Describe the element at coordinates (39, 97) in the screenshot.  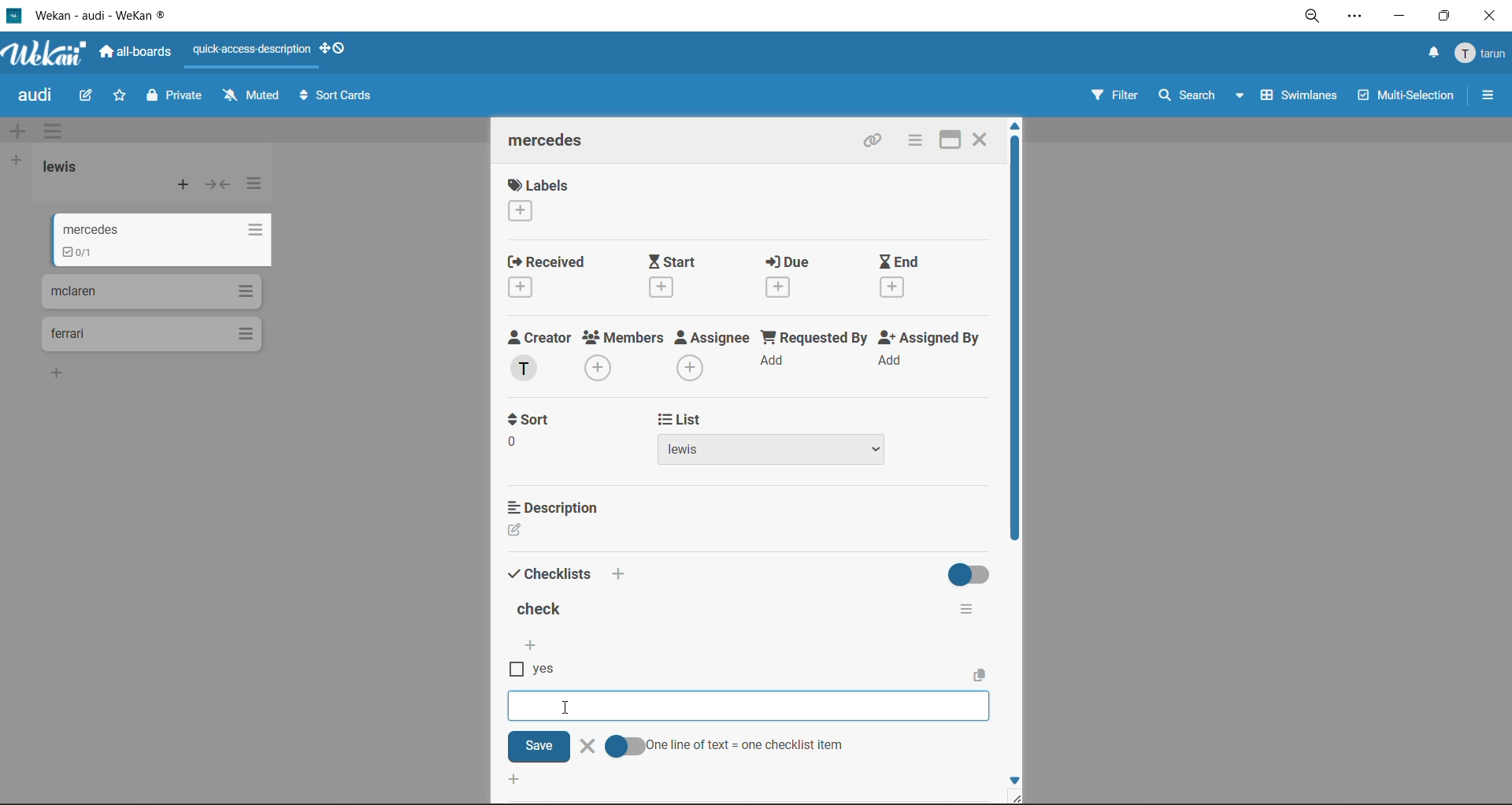
I see `board title` at that location.